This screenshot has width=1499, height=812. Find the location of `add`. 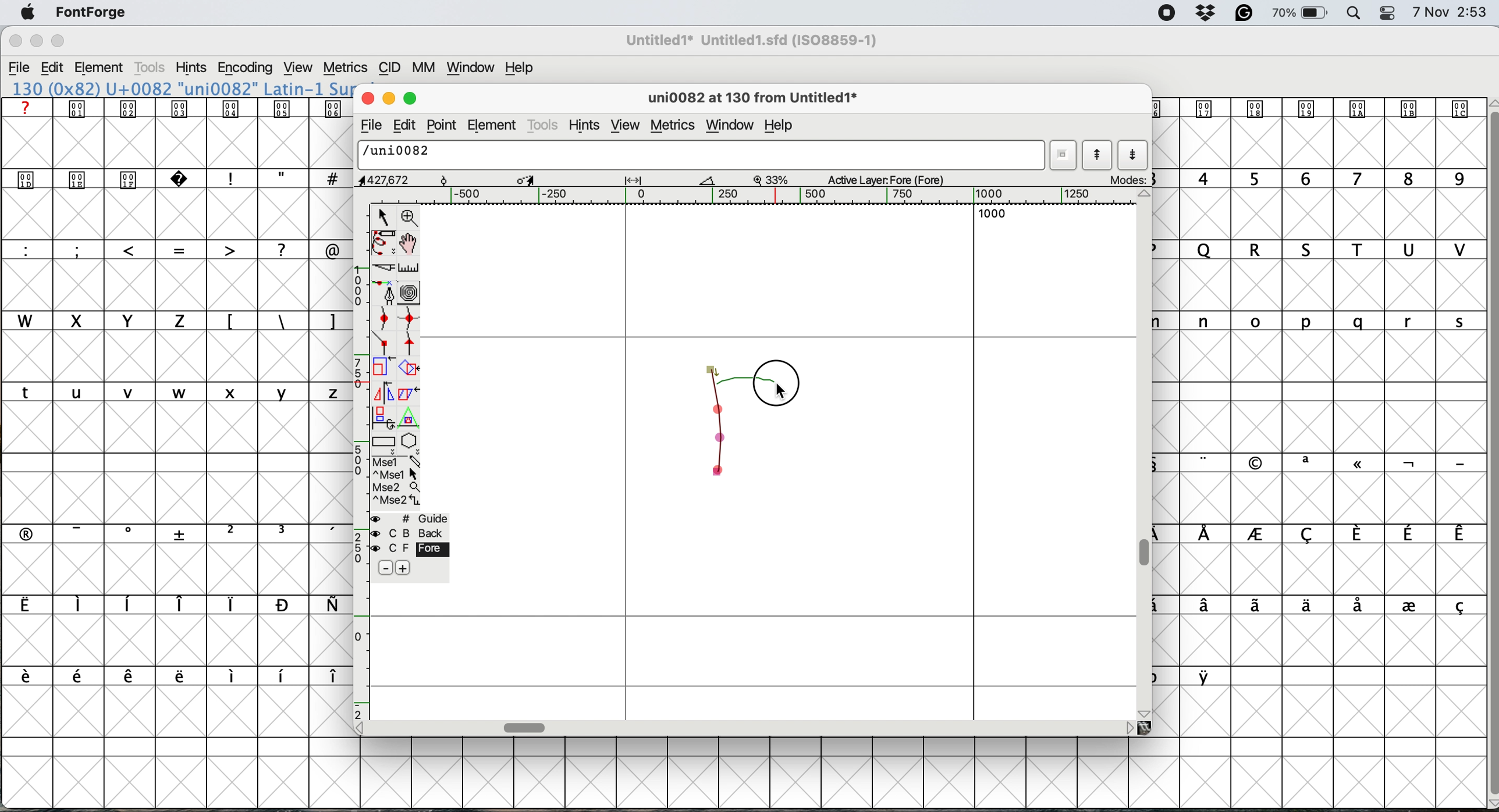

add is located at coordinates (403, 567).